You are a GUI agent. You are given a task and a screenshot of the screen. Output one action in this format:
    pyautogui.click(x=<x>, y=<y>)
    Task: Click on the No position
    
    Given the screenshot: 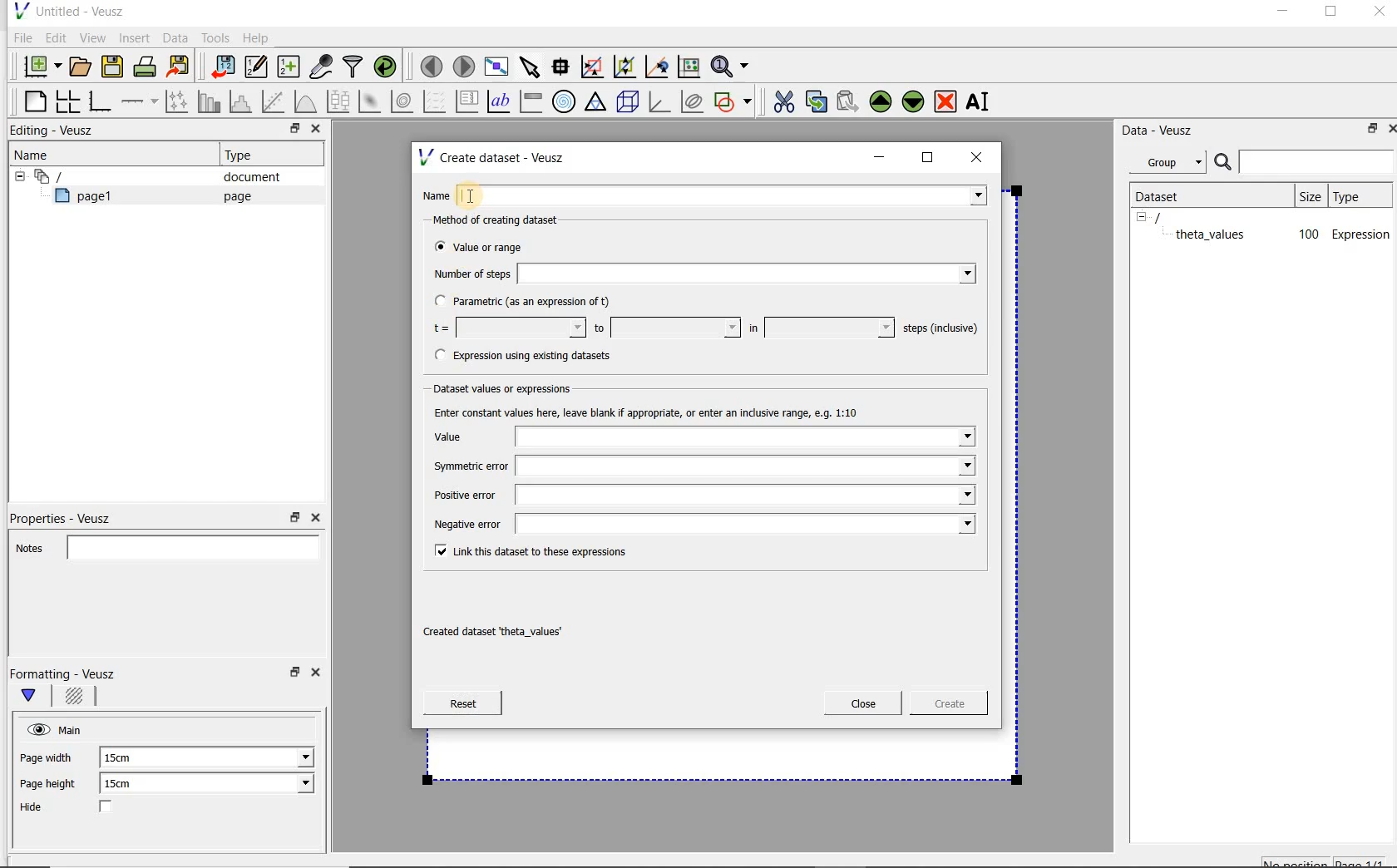 What is the action you would take?
    pyautogui.click(x=1297, y=861)
    